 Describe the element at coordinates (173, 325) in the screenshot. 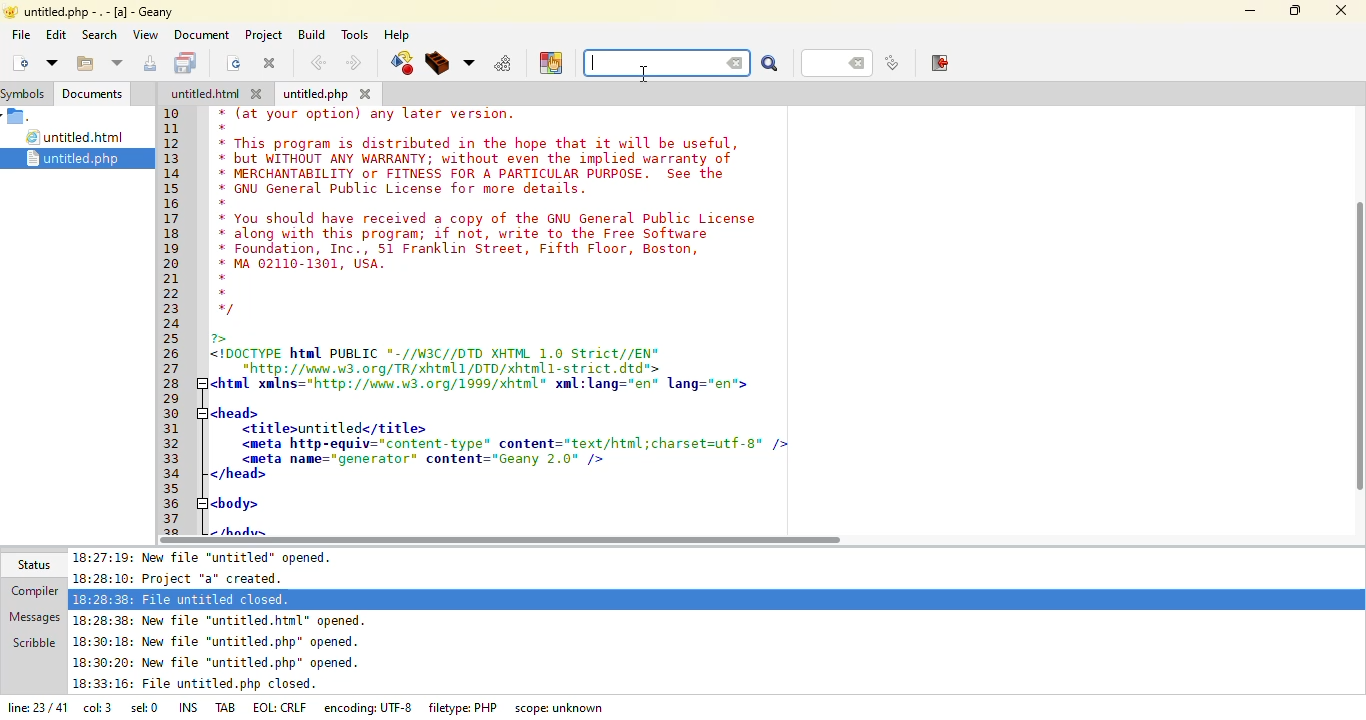

I see `24` at that location.